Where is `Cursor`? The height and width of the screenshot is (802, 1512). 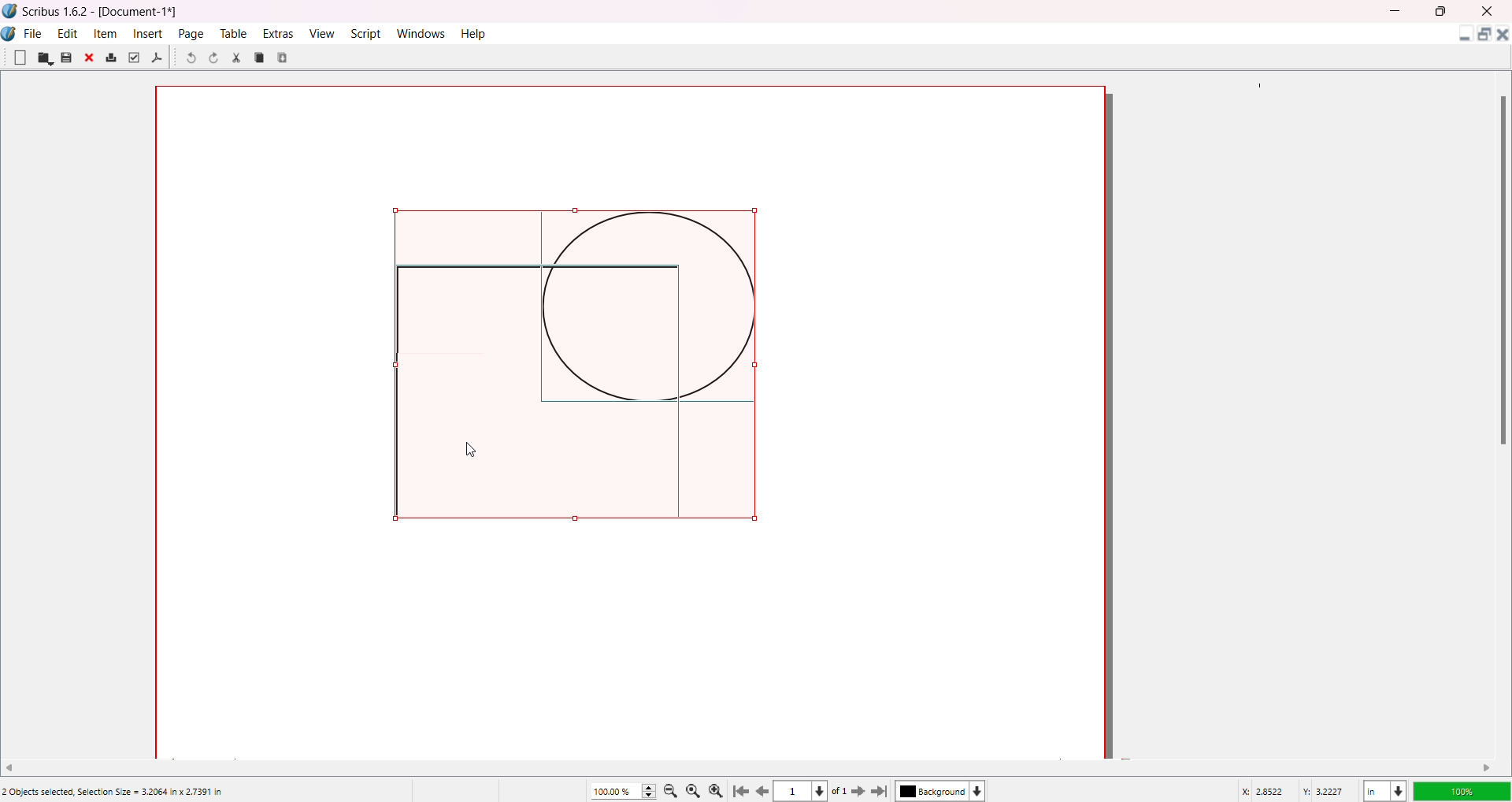
Cursor is located at coordinates (473, 447).